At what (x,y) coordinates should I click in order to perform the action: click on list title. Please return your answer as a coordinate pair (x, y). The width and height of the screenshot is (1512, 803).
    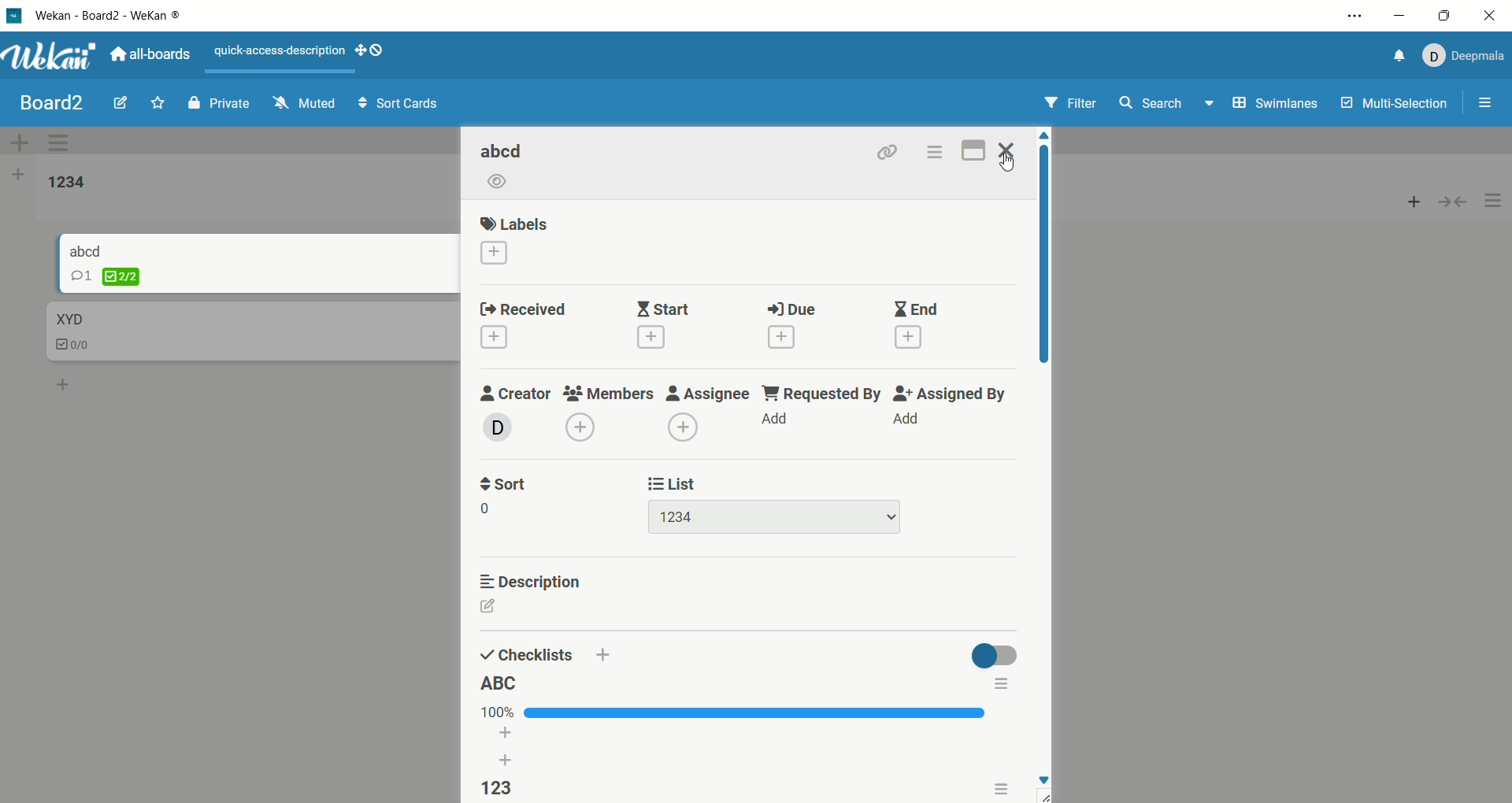
    Looking at the image, I should click on (504, 678).